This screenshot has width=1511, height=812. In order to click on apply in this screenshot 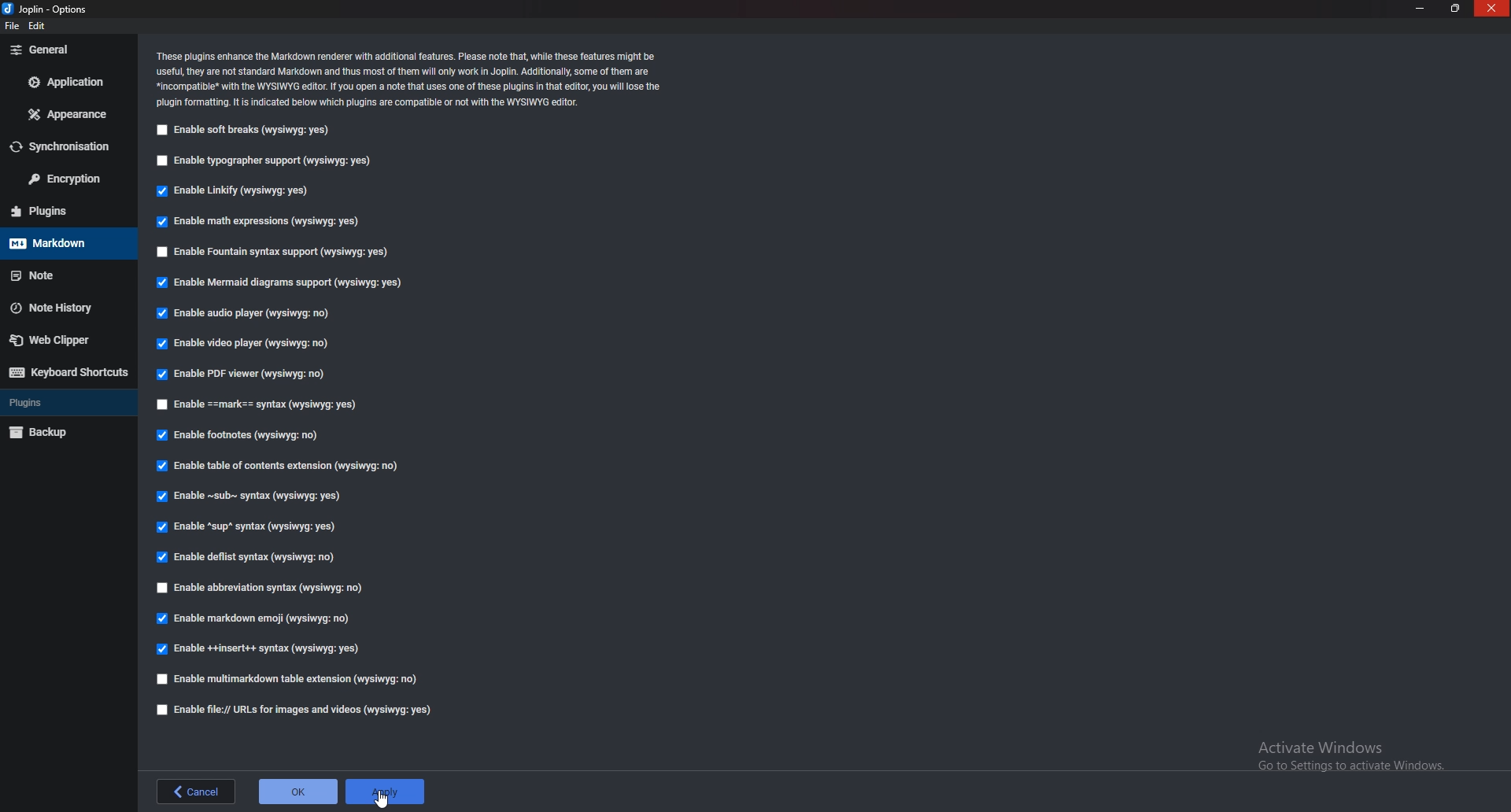, I will do `click(385, 792)`.